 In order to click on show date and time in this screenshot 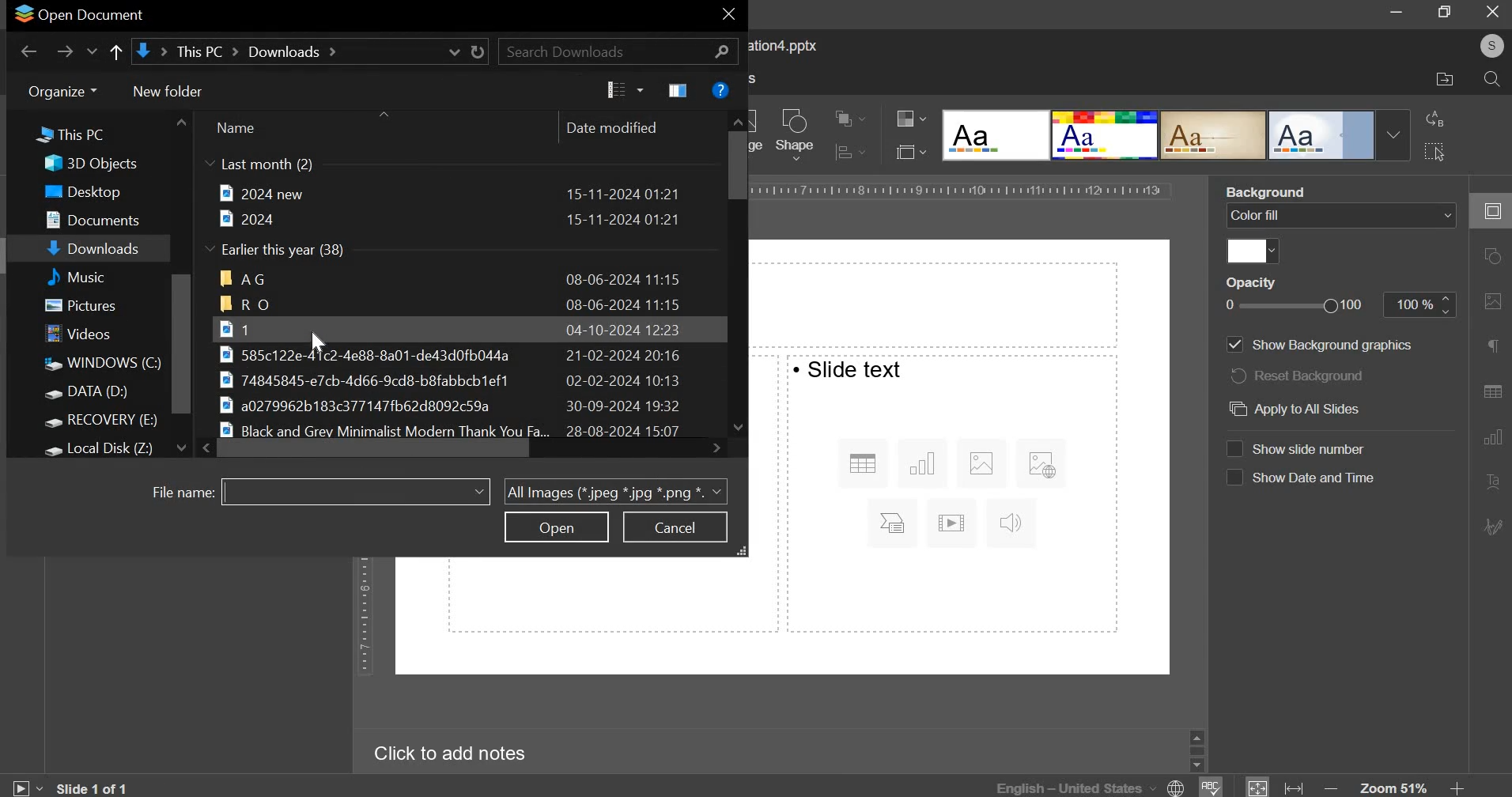, I will do `click(1316, 478)`.